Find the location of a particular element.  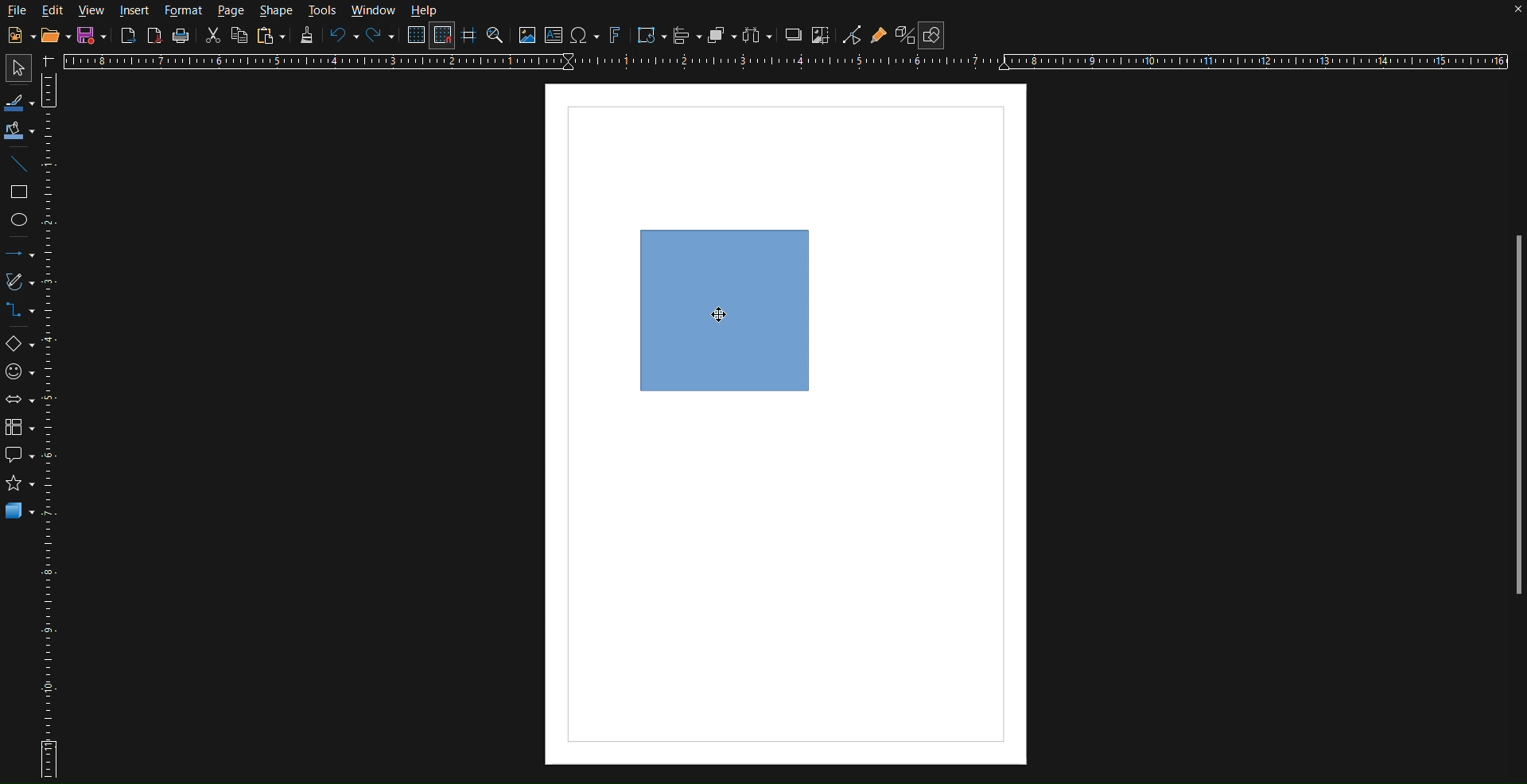

Snap to Grid is located at coordinates (445, 37).